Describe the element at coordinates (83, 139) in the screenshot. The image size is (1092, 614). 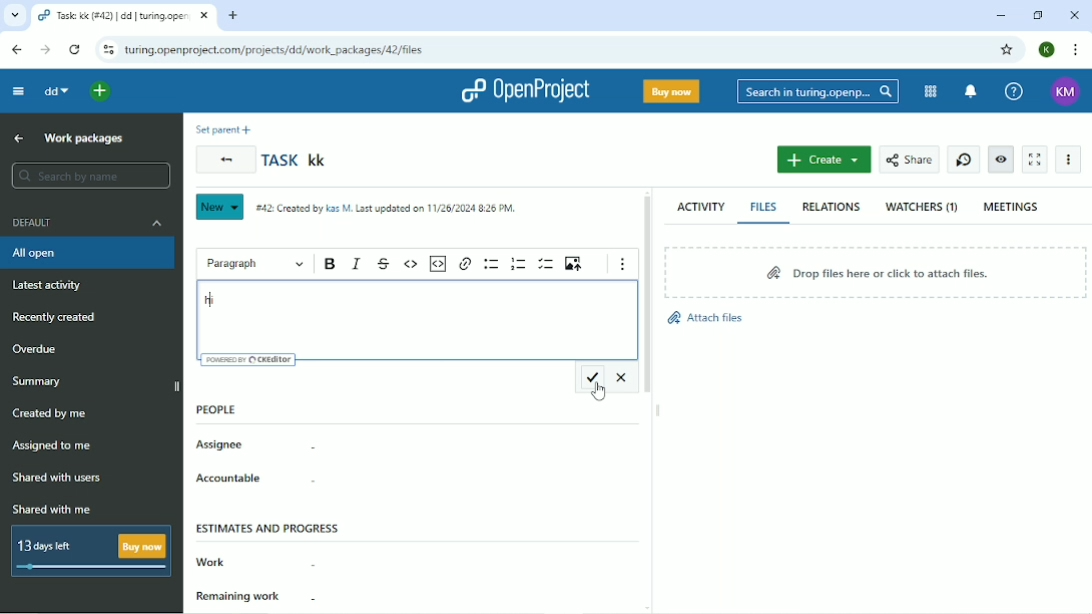
I see `Work packages` at that location.